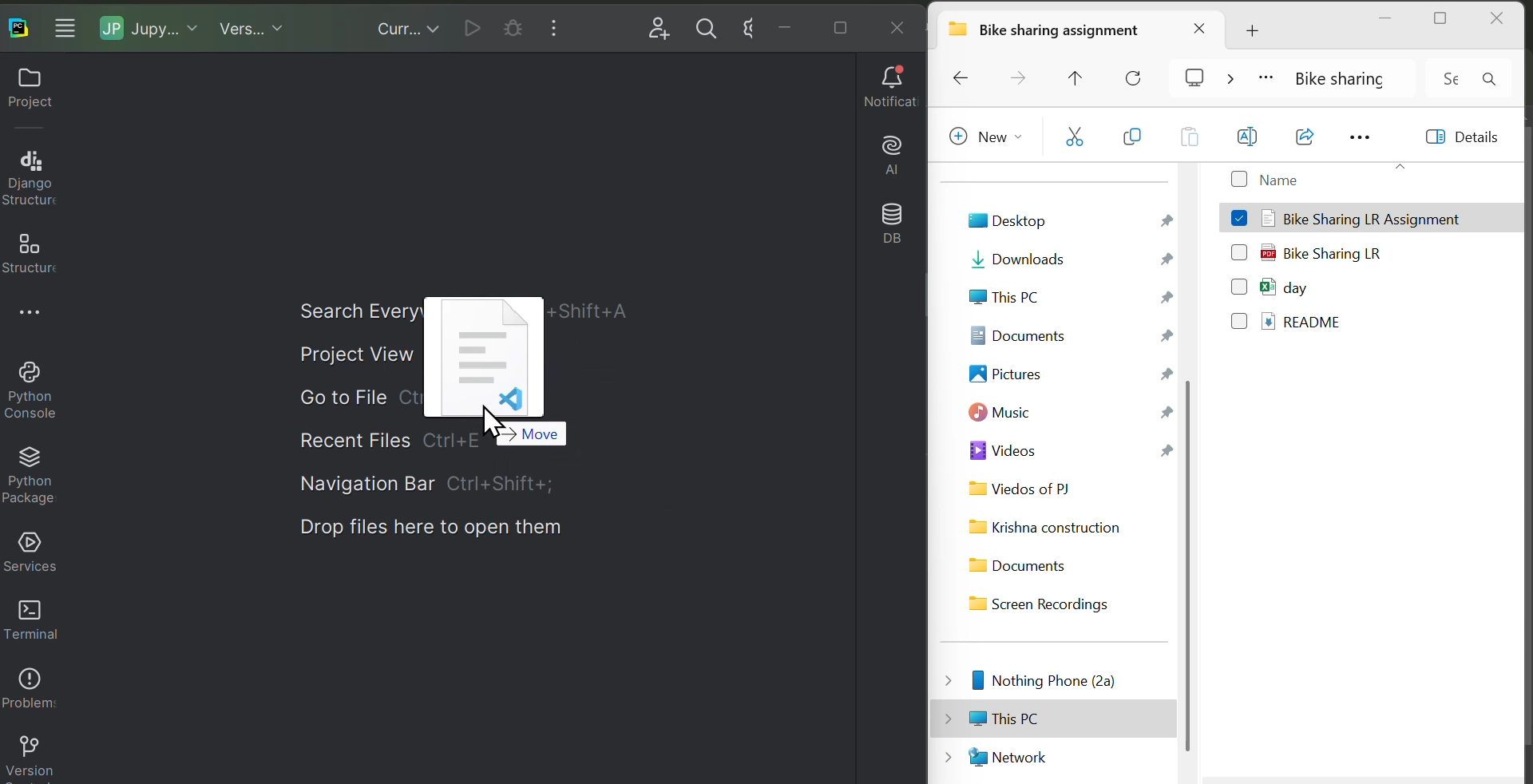  What do you see at coordinates (1239, 325) in the screenshot?
I see `Checkbox` at bounding box center [1239, 325].